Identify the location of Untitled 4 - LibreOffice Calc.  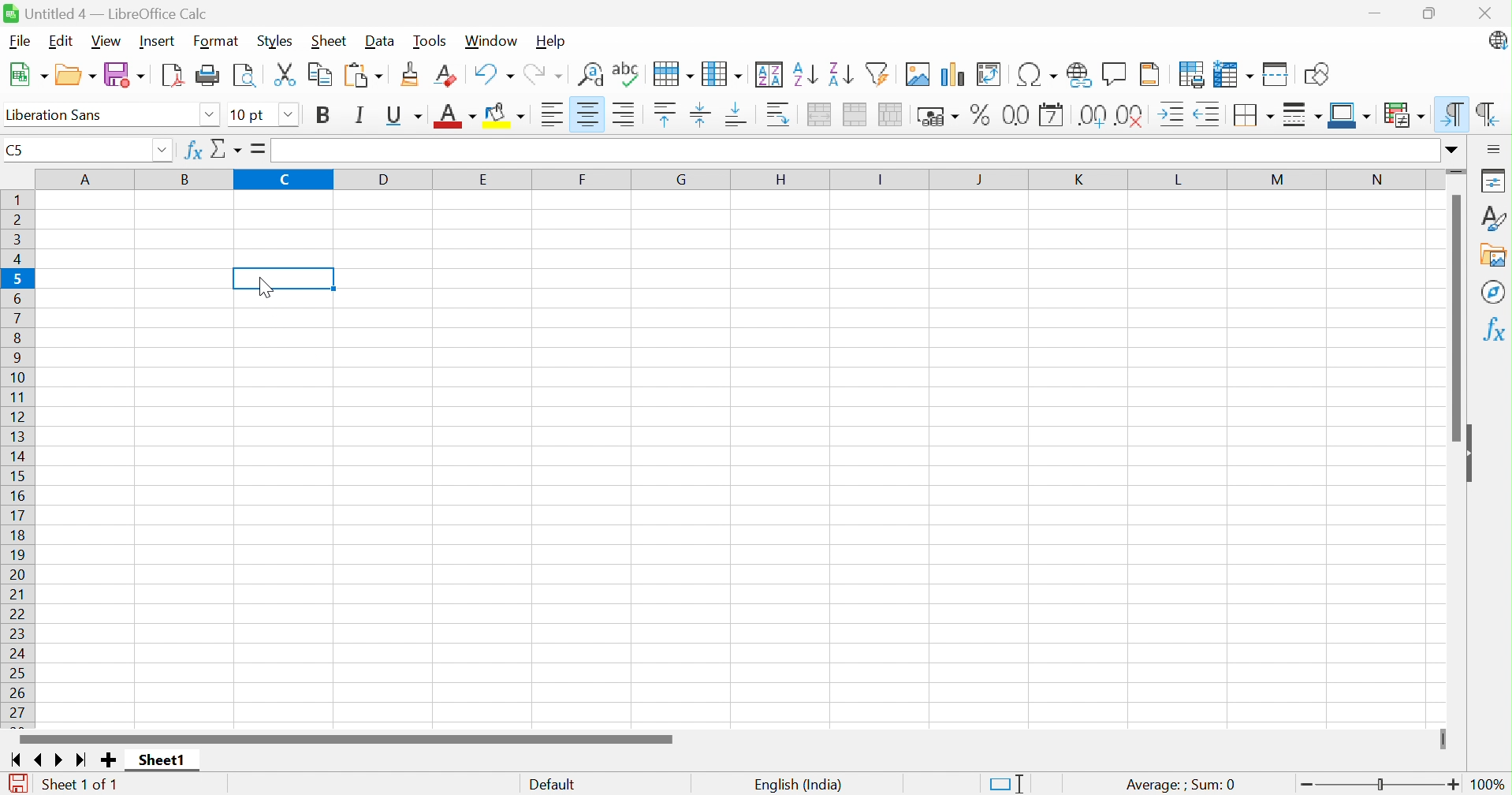
(106, 13).